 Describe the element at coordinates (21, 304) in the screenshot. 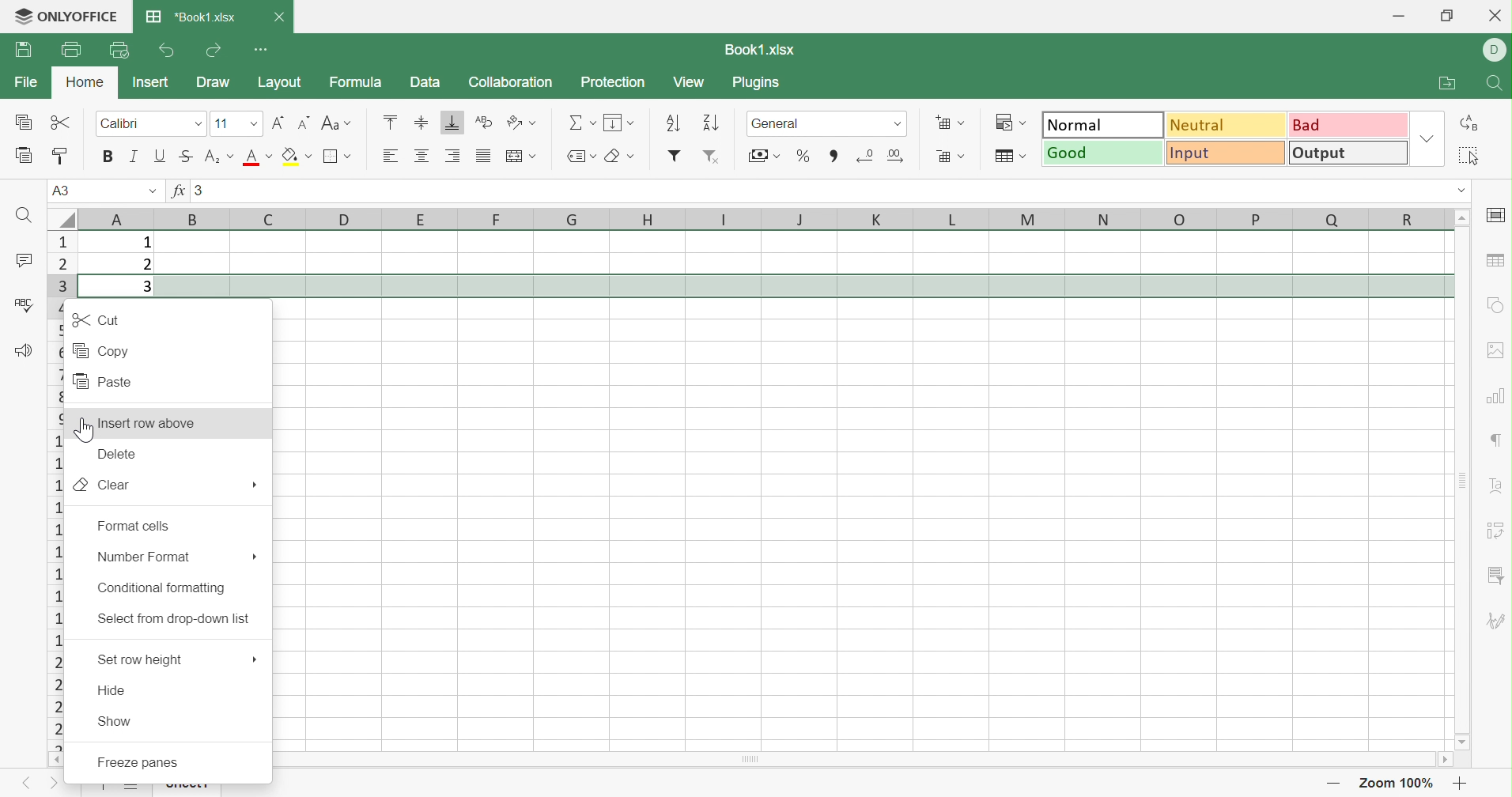

I see `Check spelling` at that location.